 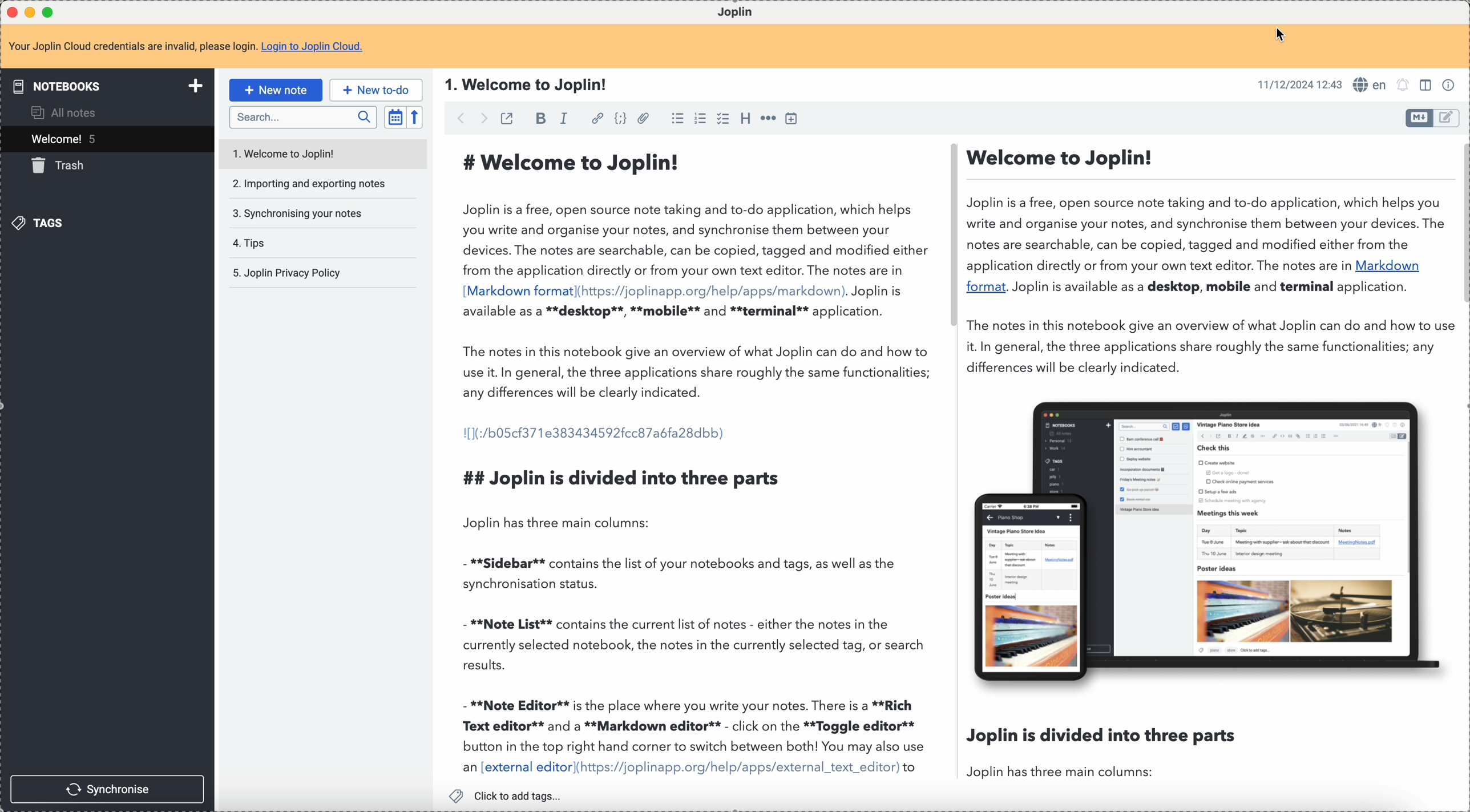 What do you see at coordinates (250, 242) in the screenshot?
I see `tips` at bounding box center [250, 242].